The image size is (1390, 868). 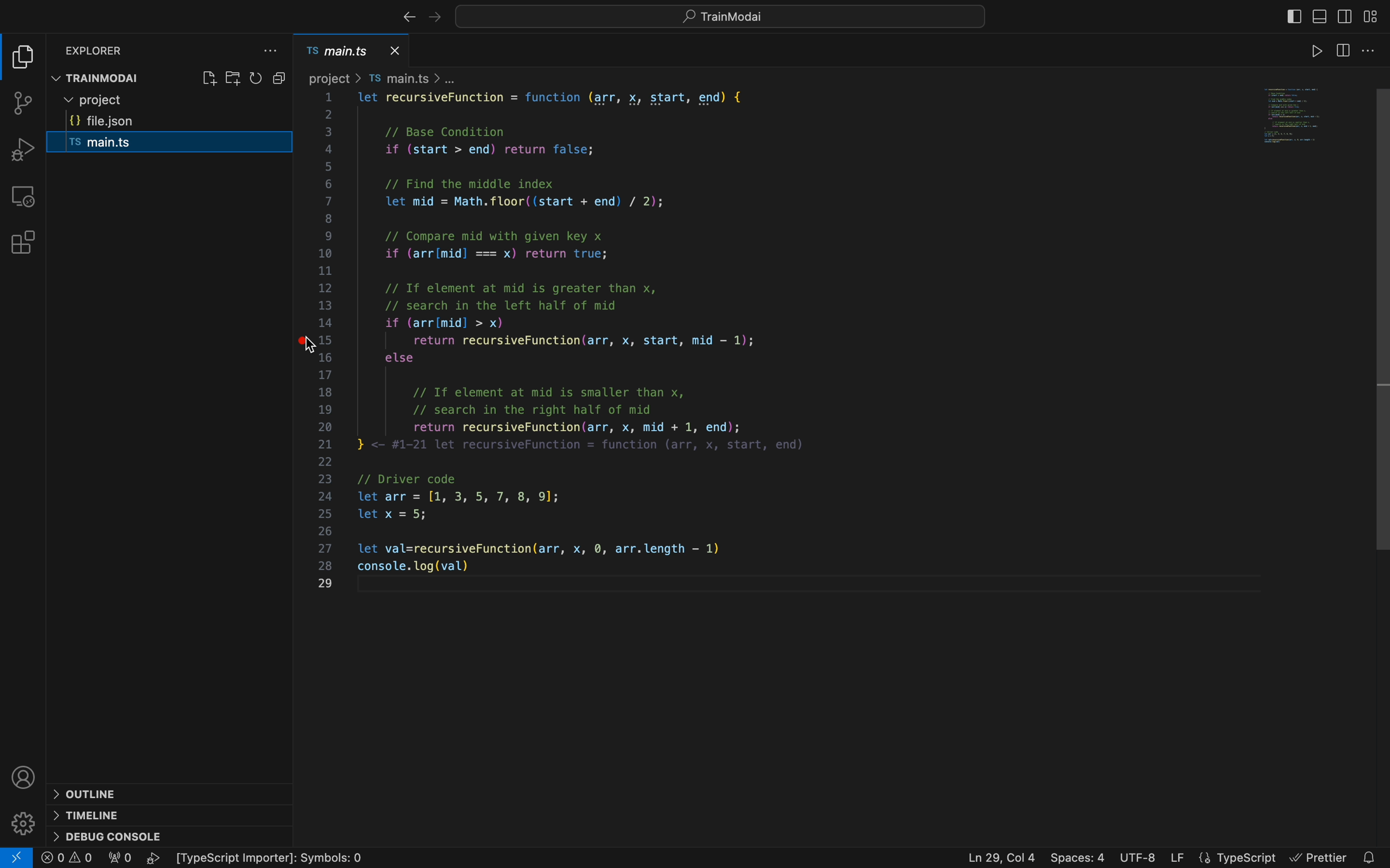 What do you see at coordinates (1380, 319) in the screenshot?
I see `scroll bar` at bounding box center [1380, 319].